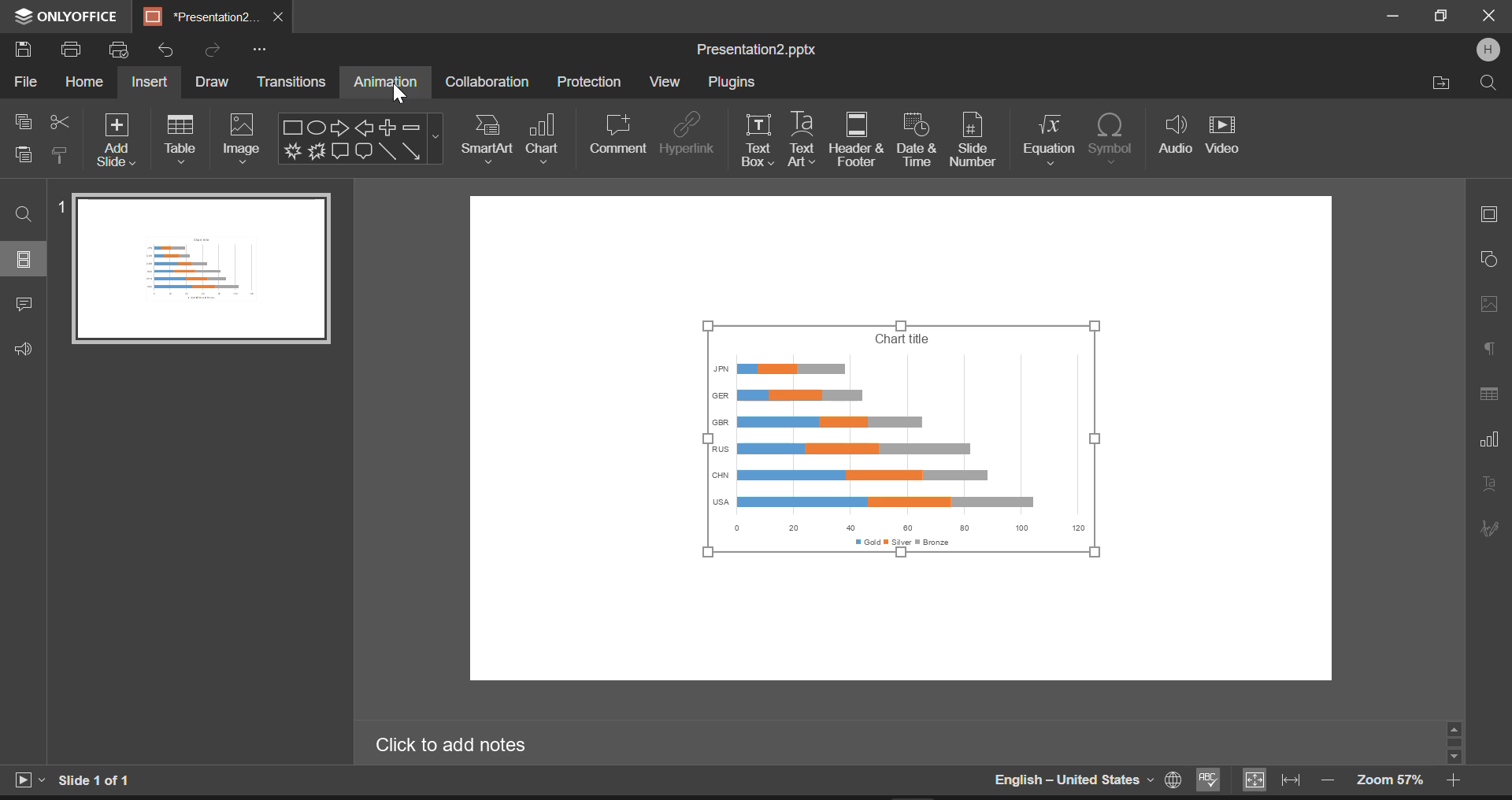 The height and width of the screenshot is (800, 1512). I want to click on Draw, so click(213, 81).